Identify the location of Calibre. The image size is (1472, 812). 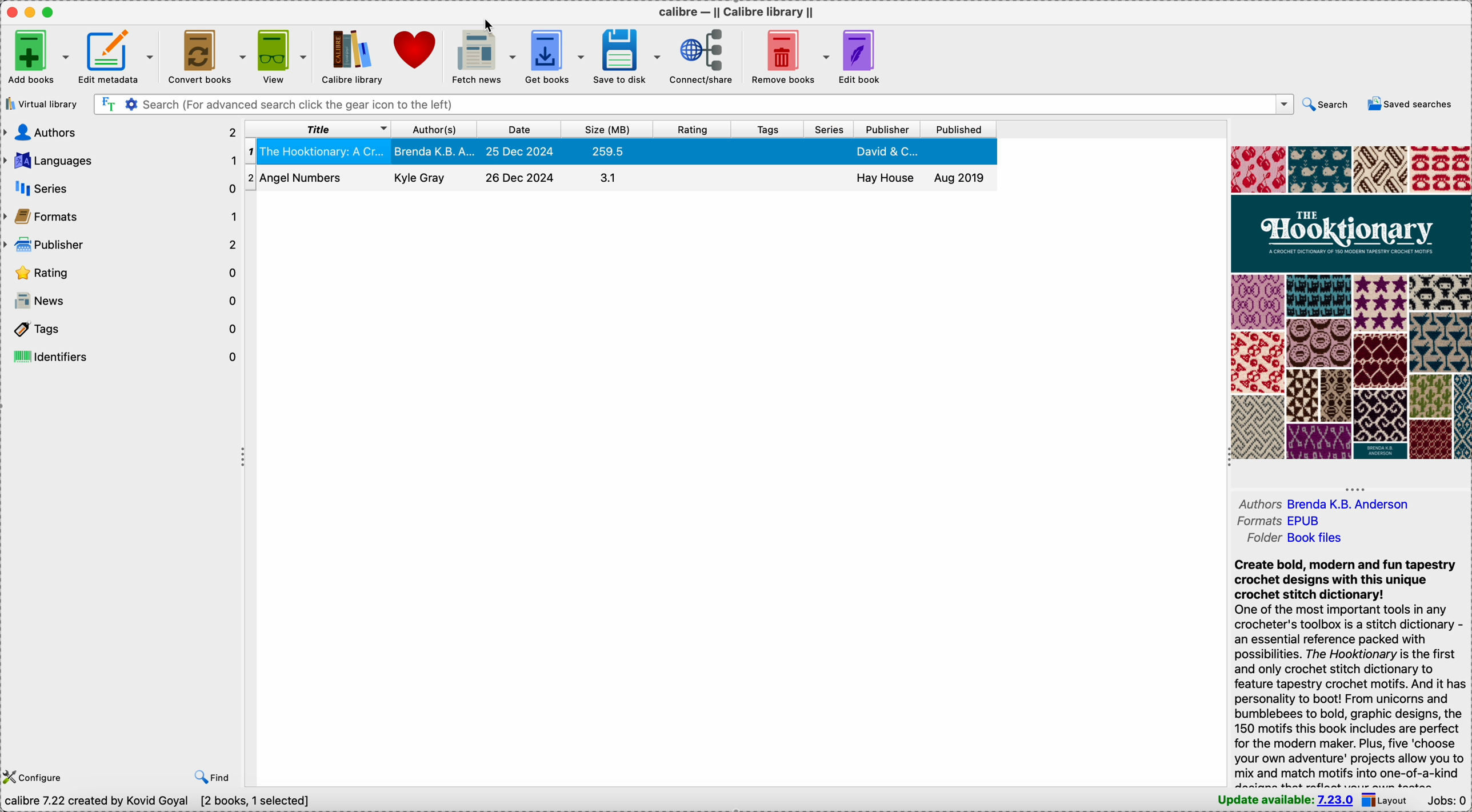
(737, 12).